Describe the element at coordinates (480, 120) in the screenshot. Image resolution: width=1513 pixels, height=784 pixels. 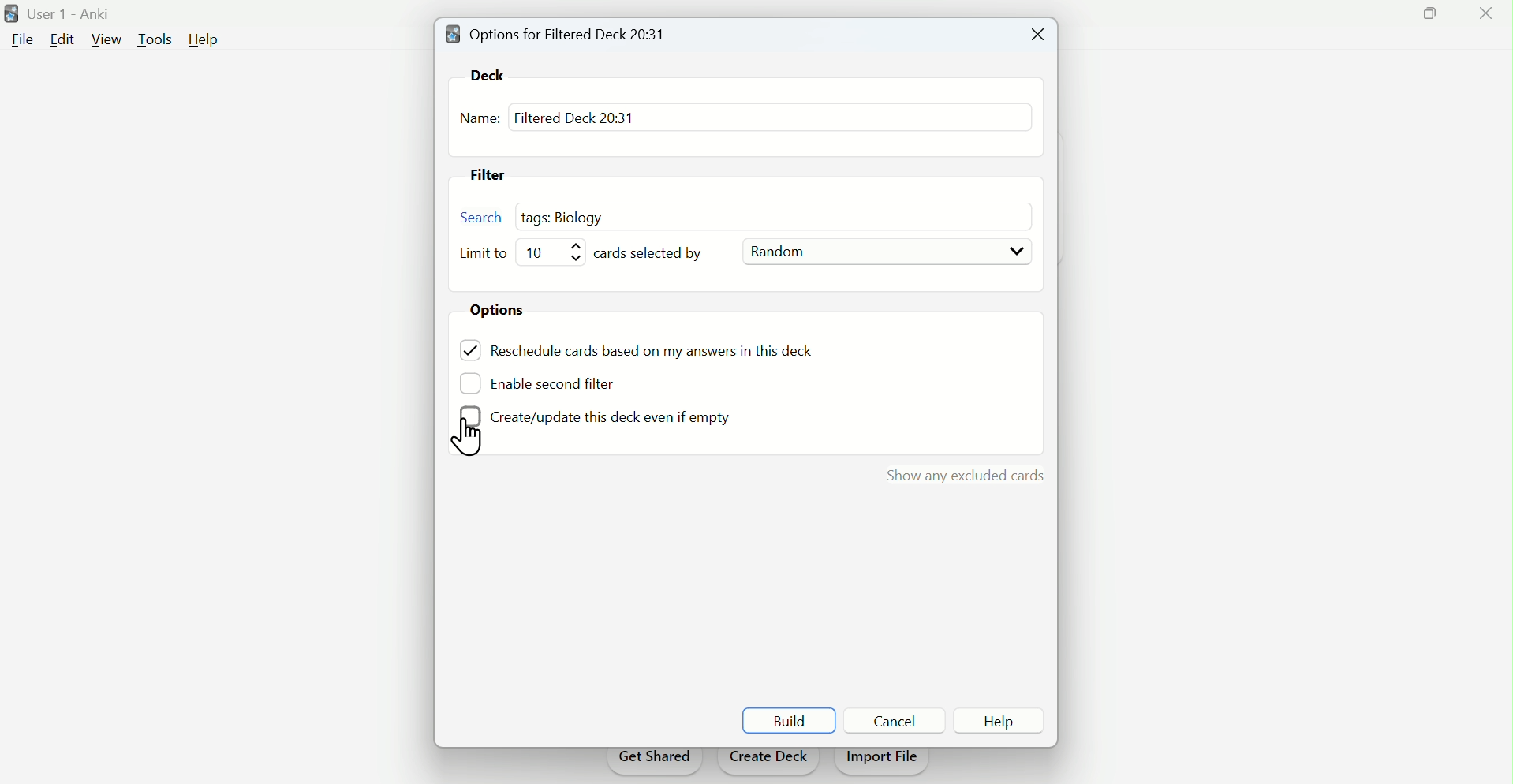
I see `Name:` at that location.